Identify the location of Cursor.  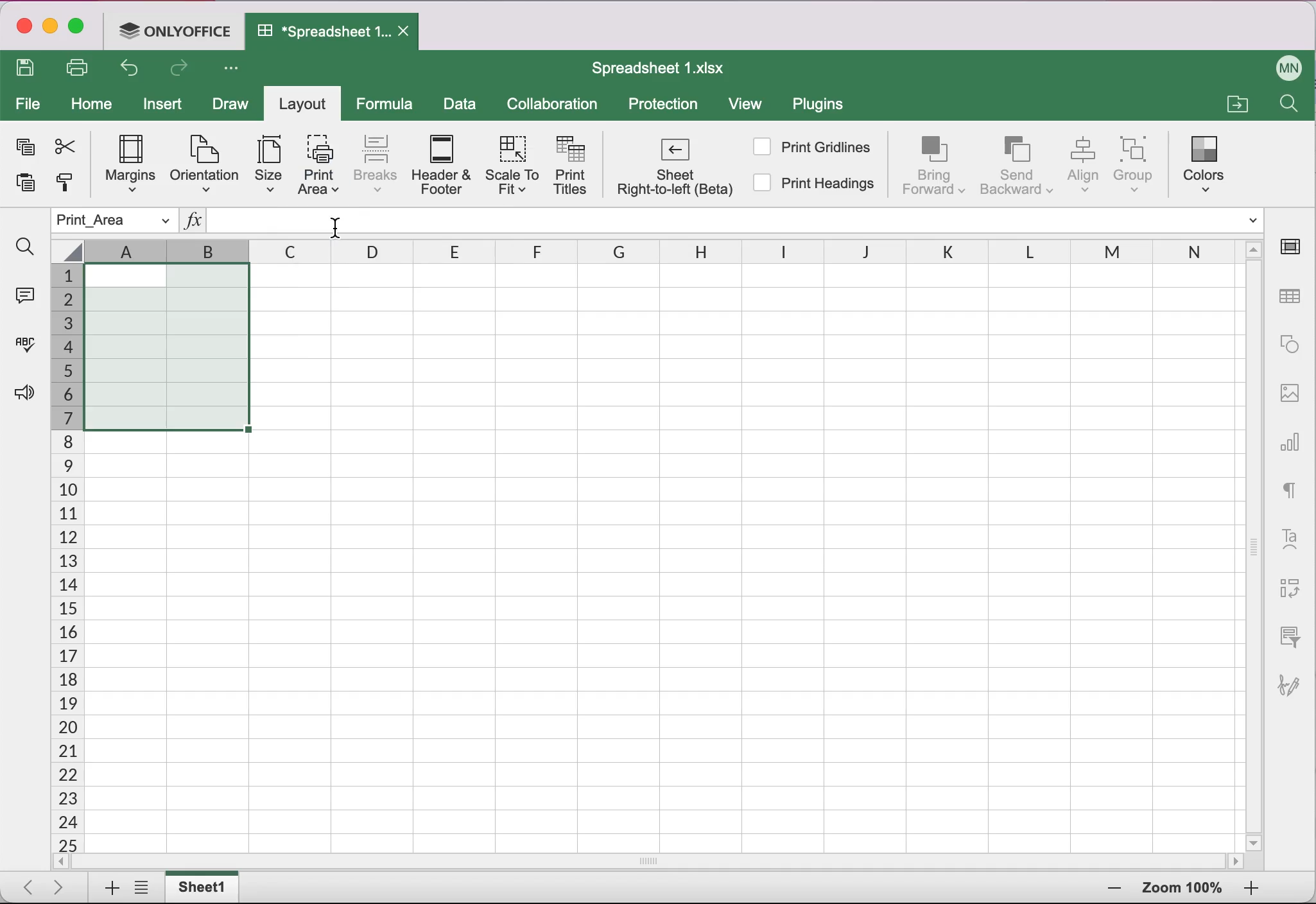
(334, 225).